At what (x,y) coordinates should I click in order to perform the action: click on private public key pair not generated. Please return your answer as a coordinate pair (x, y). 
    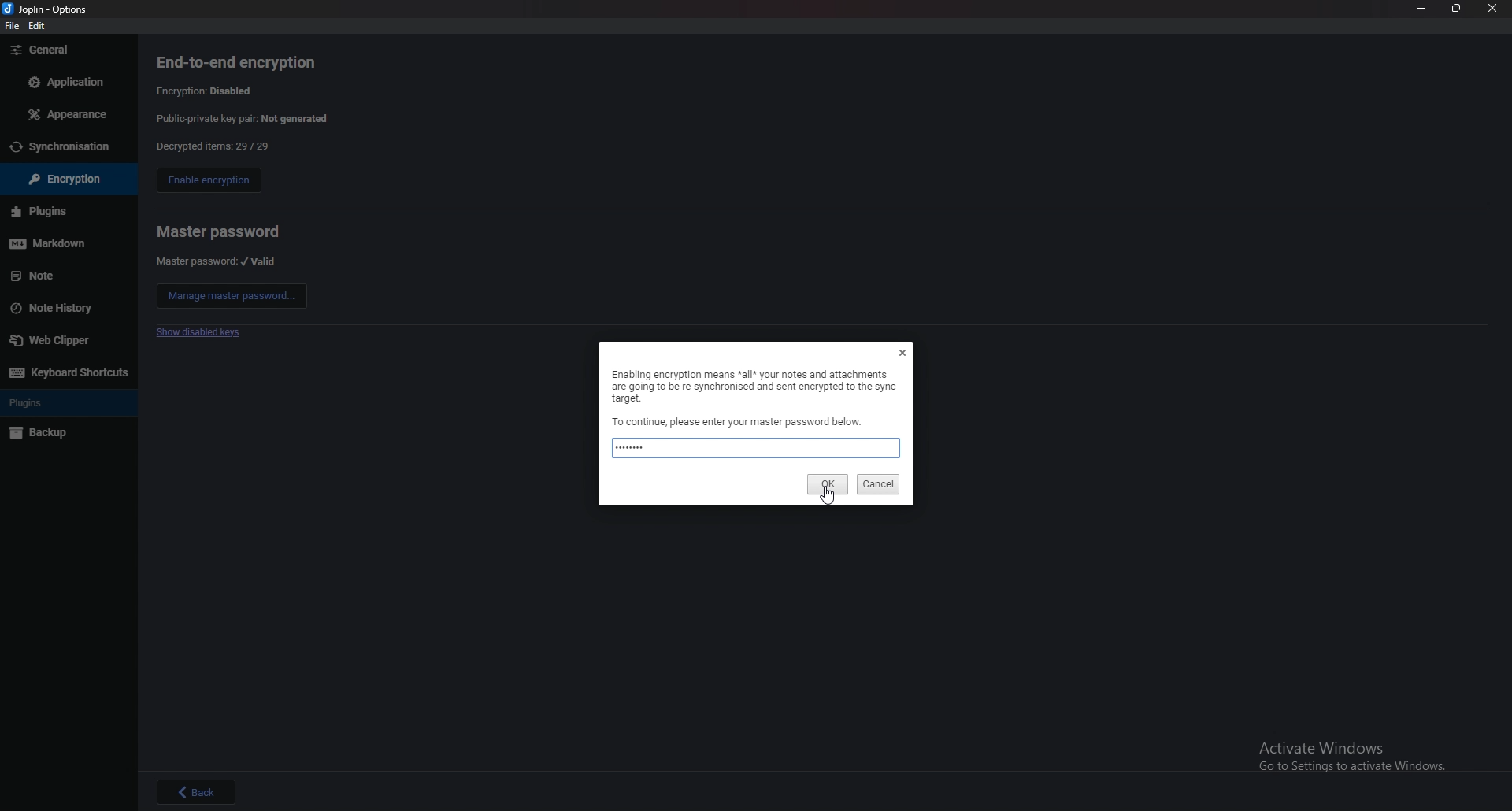
    Looking at the image, I should click on (245, 120).